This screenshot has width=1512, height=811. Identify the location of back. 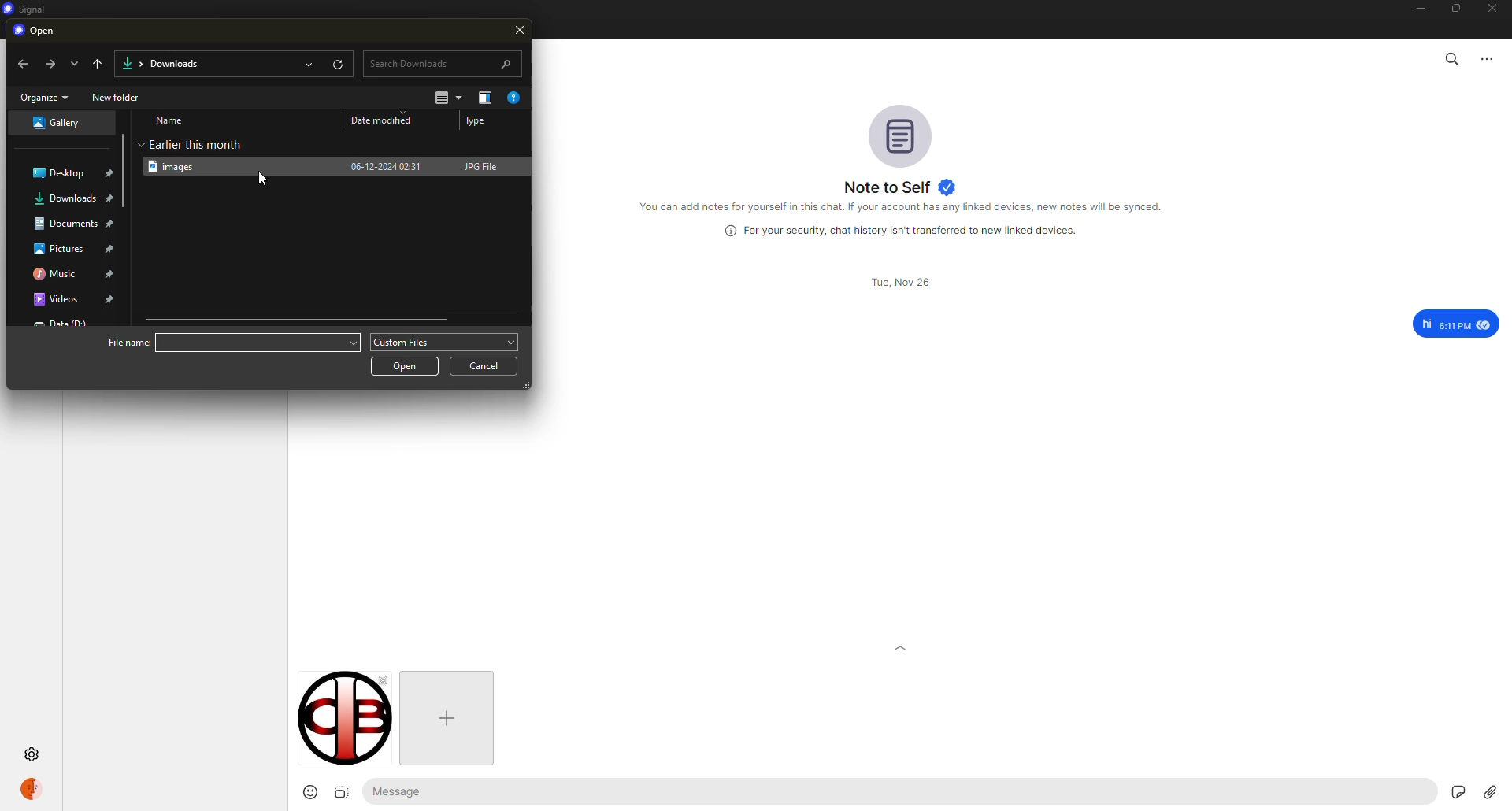
(24, 65).